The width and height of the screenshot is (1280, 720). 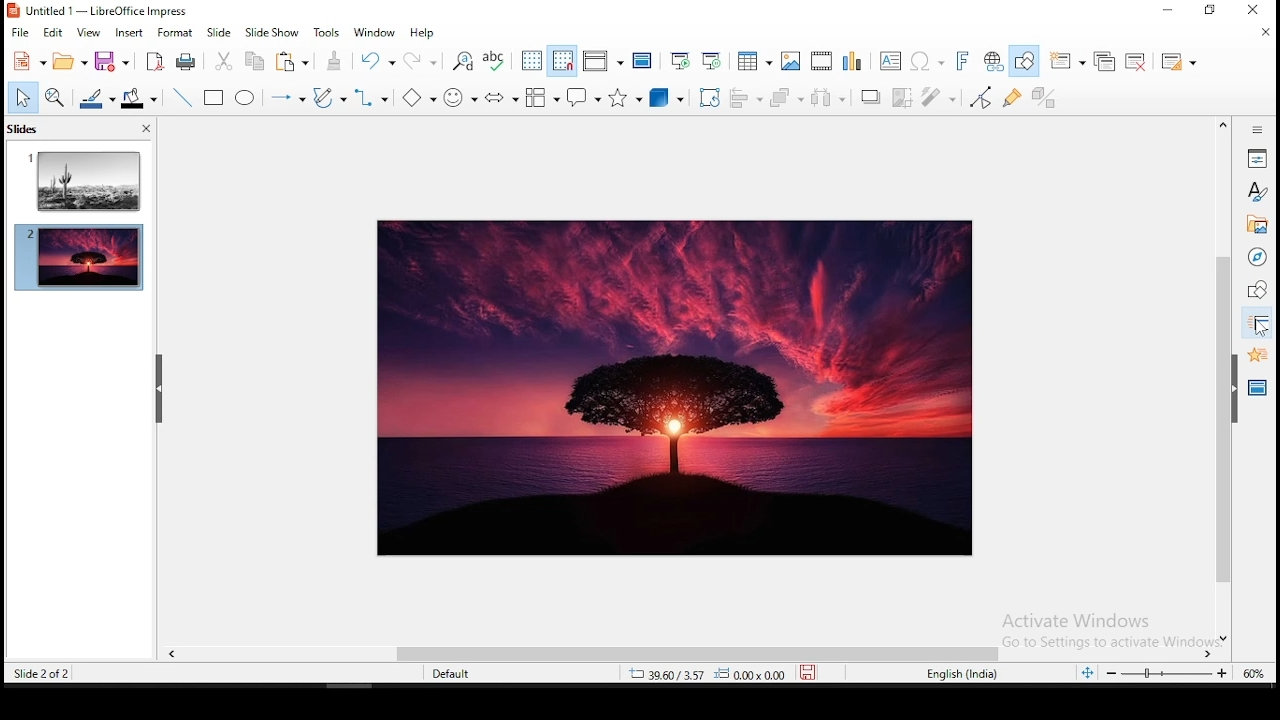 What do you see at coordinates (1043, 97) in the screenshot?
I see `toggle extrusiuon` at bounding box center [1043, 97].